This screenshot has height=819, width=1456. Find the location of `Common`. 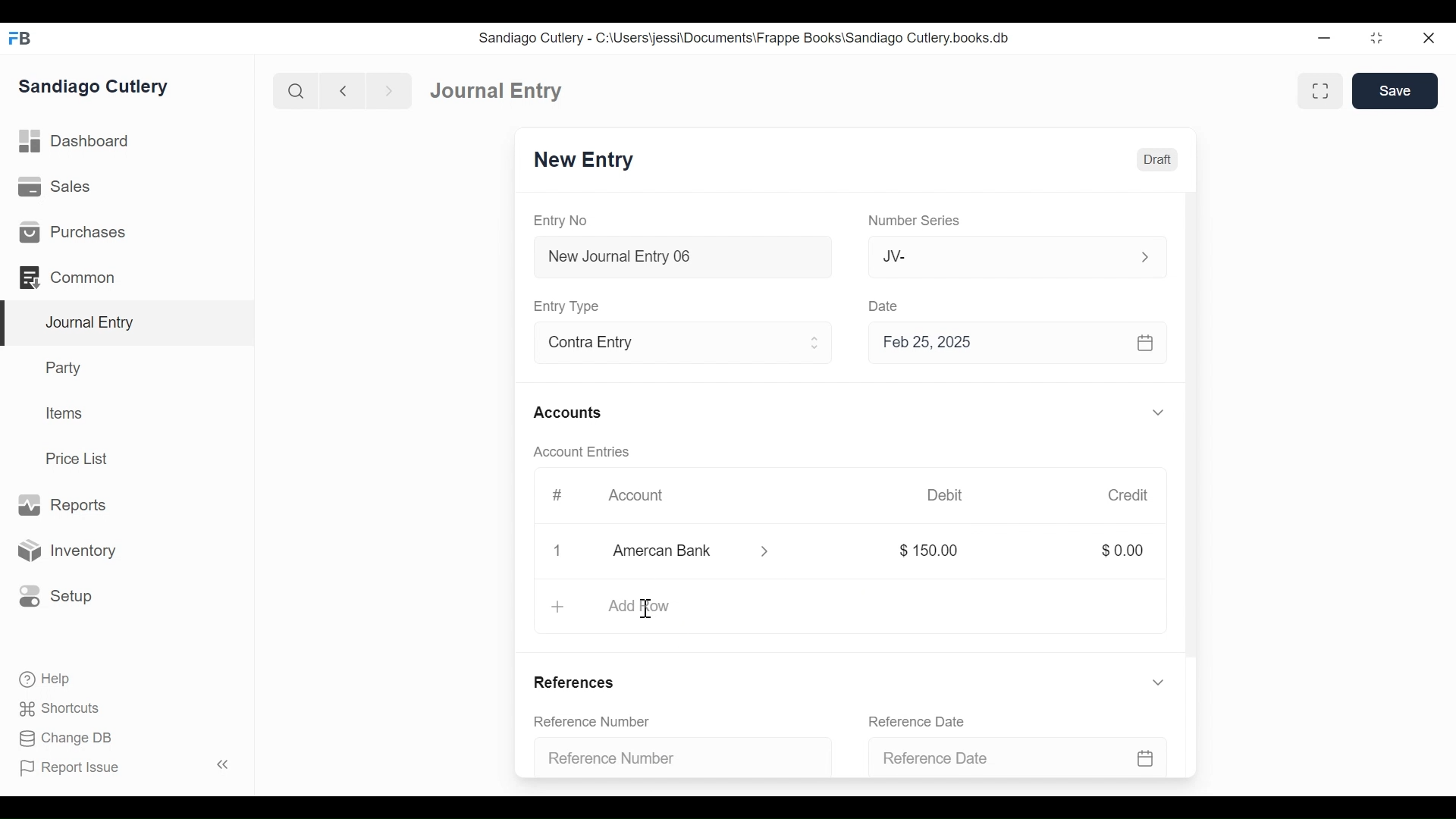

Common is located at coordinates (75, 278).